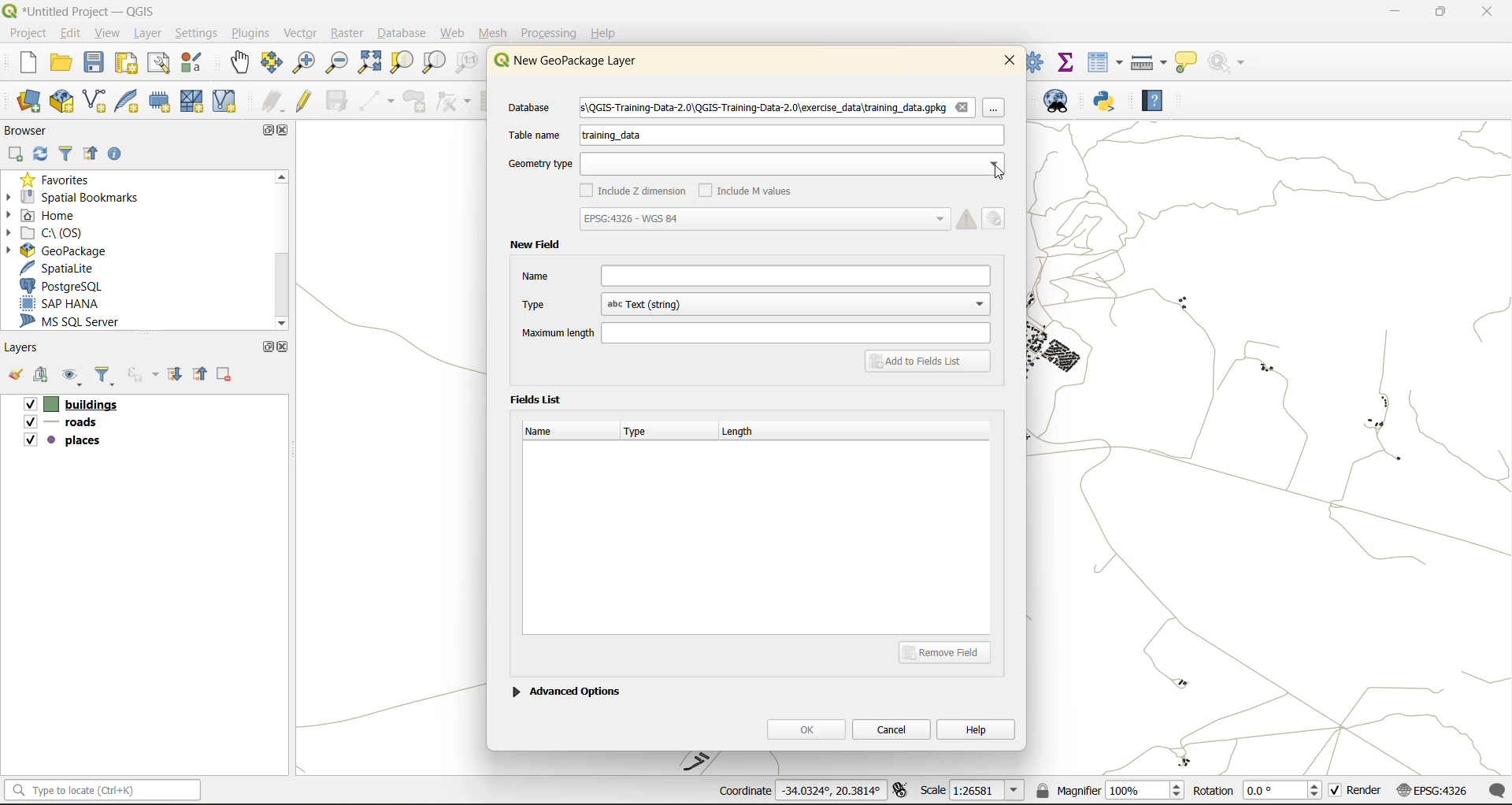  Describe the element at coordinates (1258, 792) in the screenshot. I see `rotation` at that location.